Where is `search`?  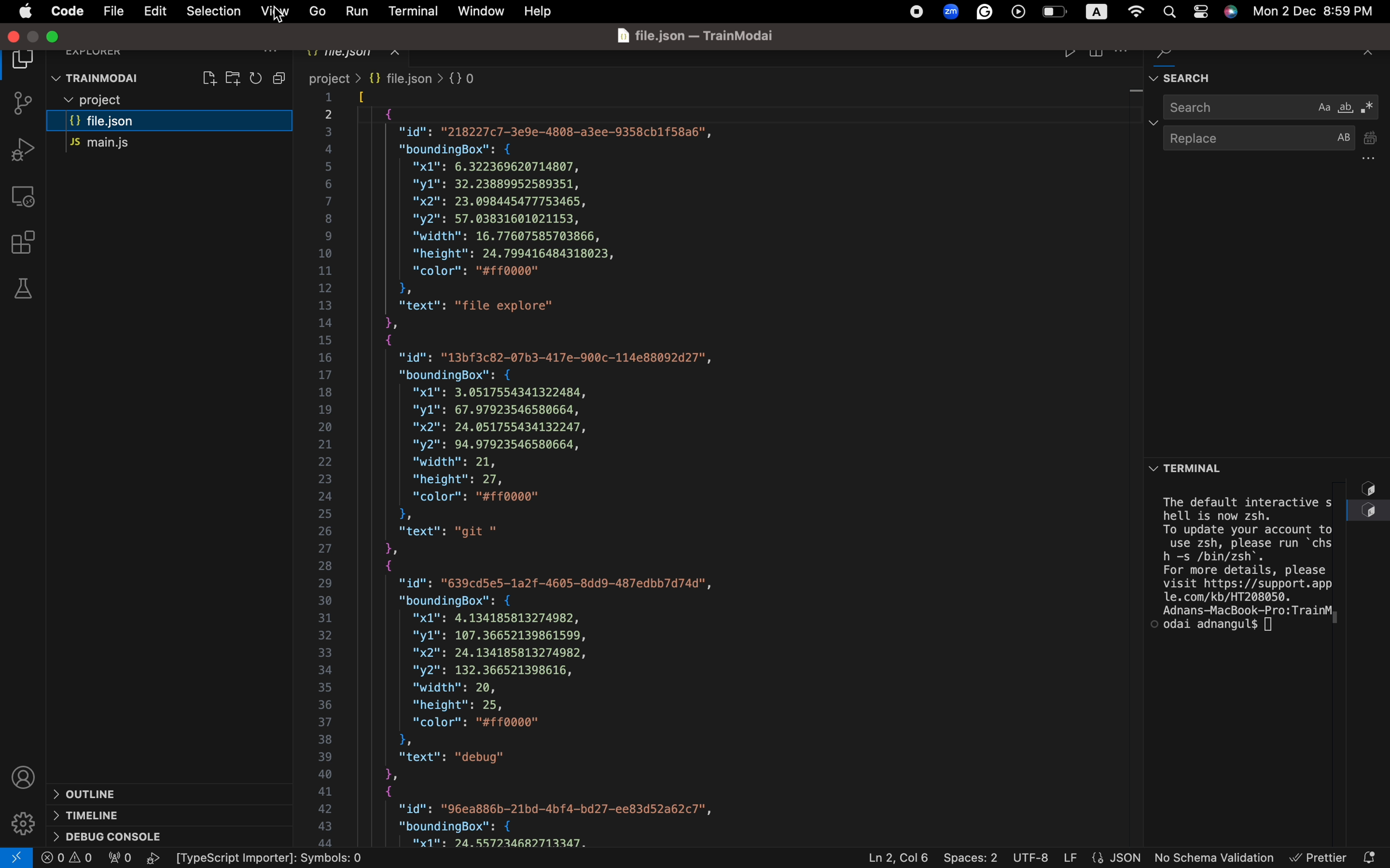 search is located at coordinates (1272, 107).